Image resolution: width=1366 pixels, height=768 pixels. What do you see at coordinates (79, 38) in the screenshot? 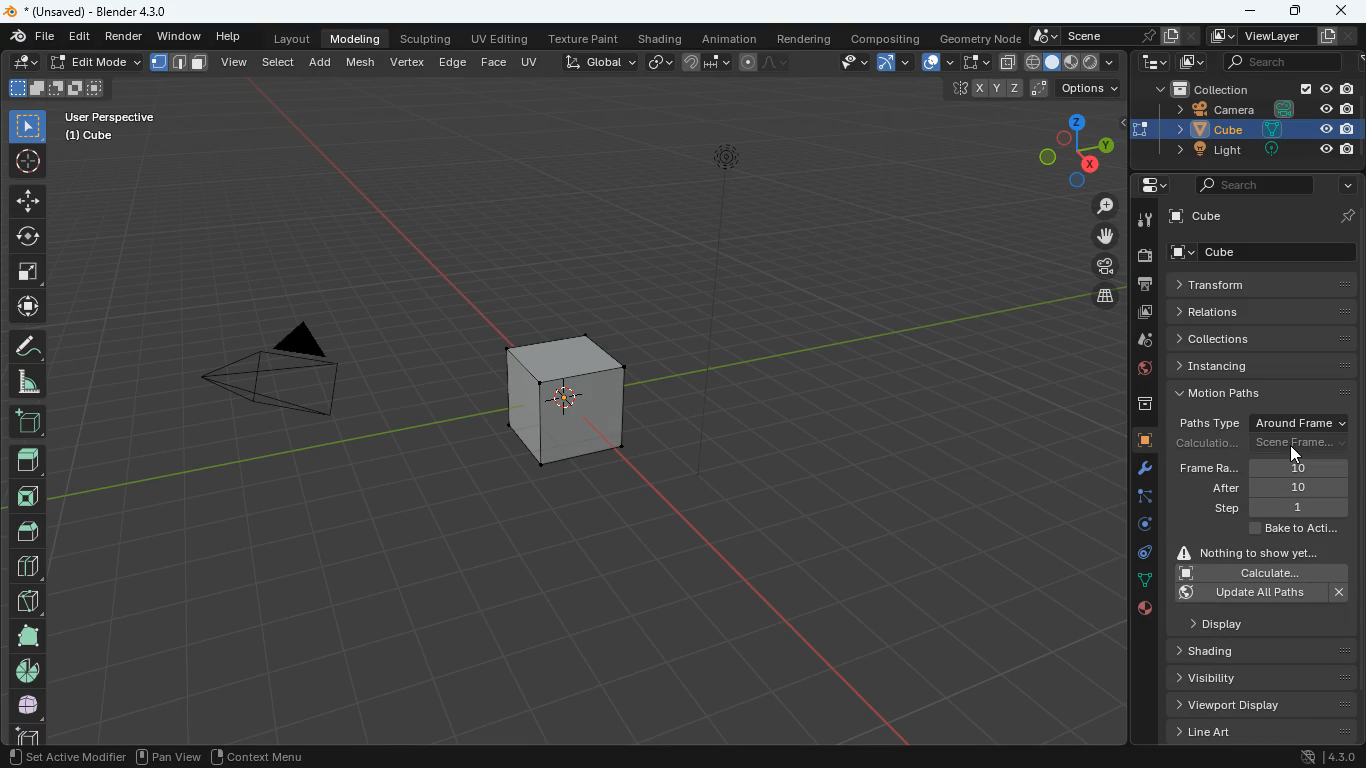
I see `edit` at bounding box center [79, 38].